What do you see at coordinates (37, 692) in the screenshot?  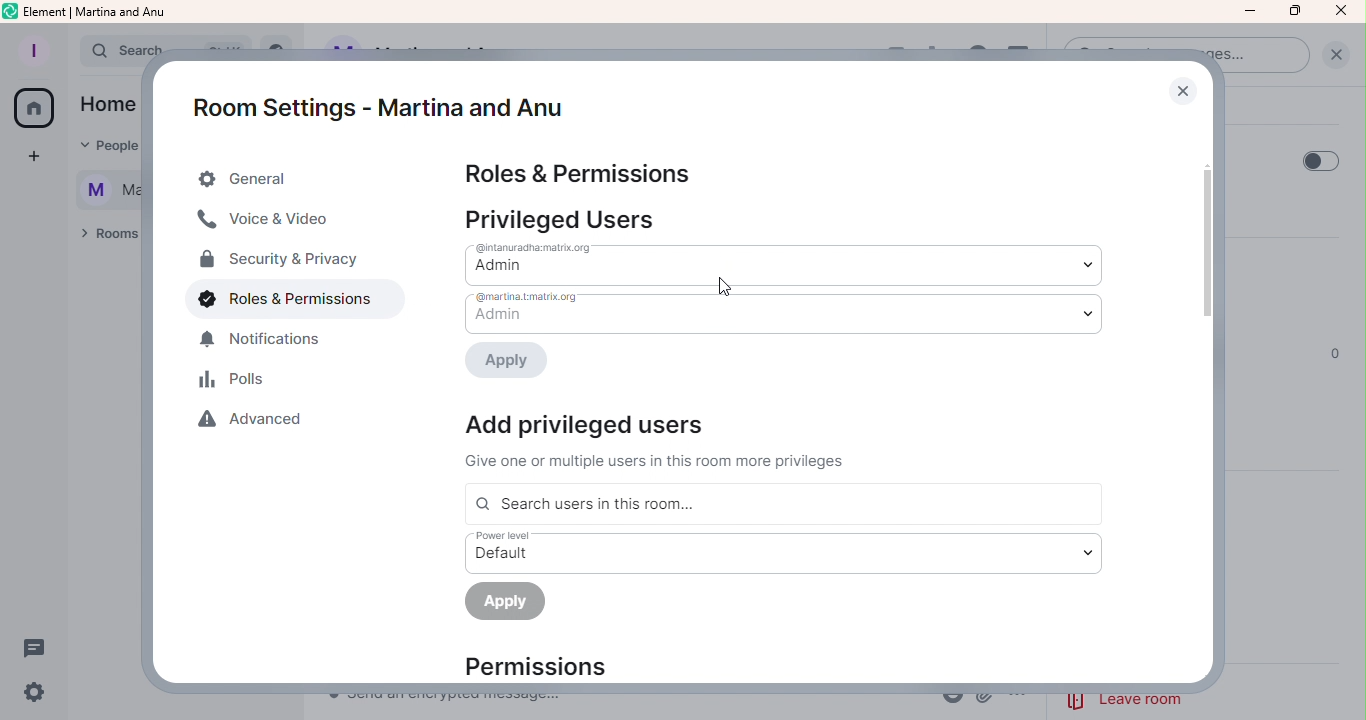 I see `Settings` at bounding box center [37, 692].